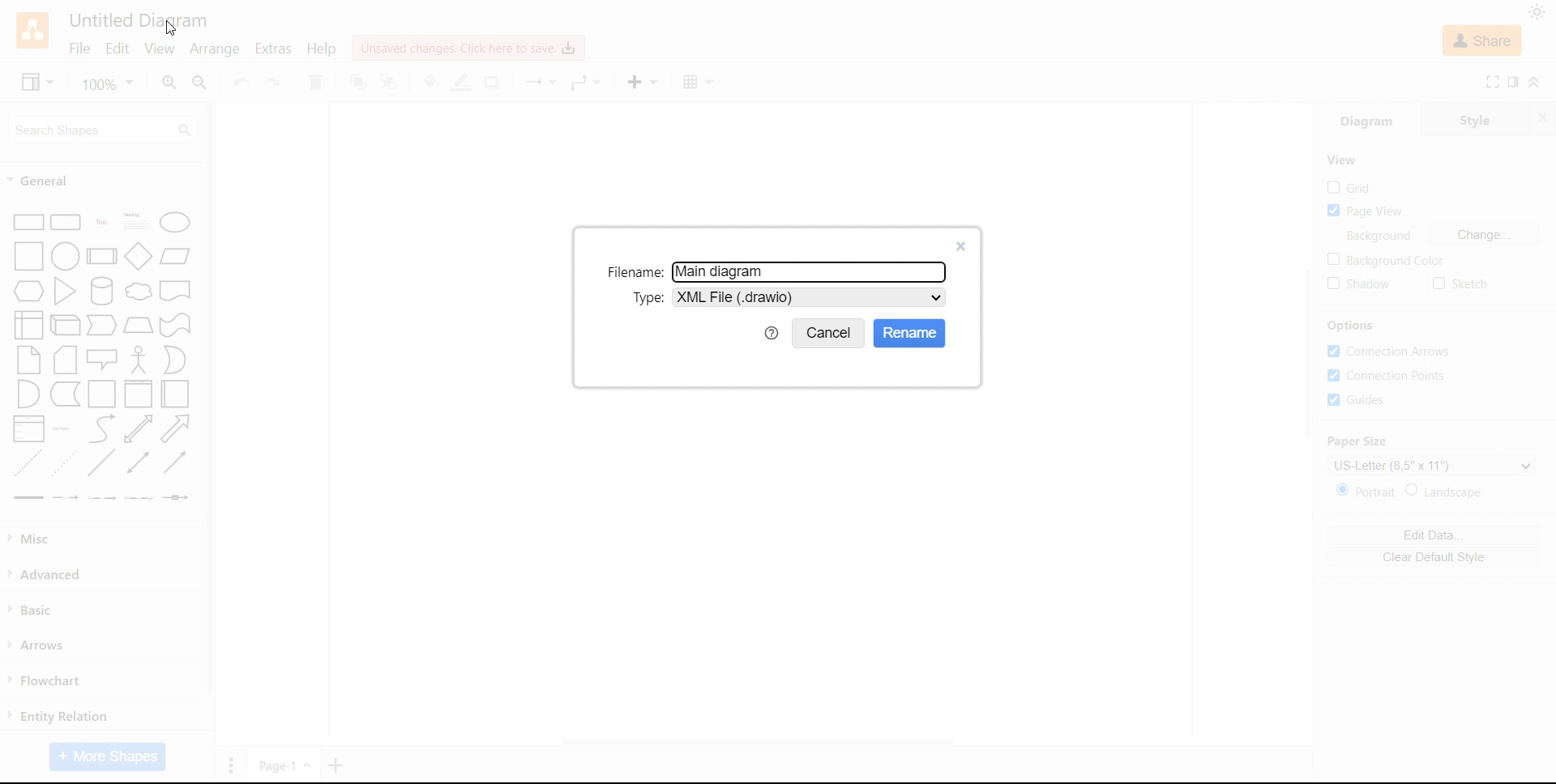 This screenshot has width=1556, height=784. What do you see at coordinates (633, 272) in the screenshot?
I see `text` at bounding box center [633, 272].